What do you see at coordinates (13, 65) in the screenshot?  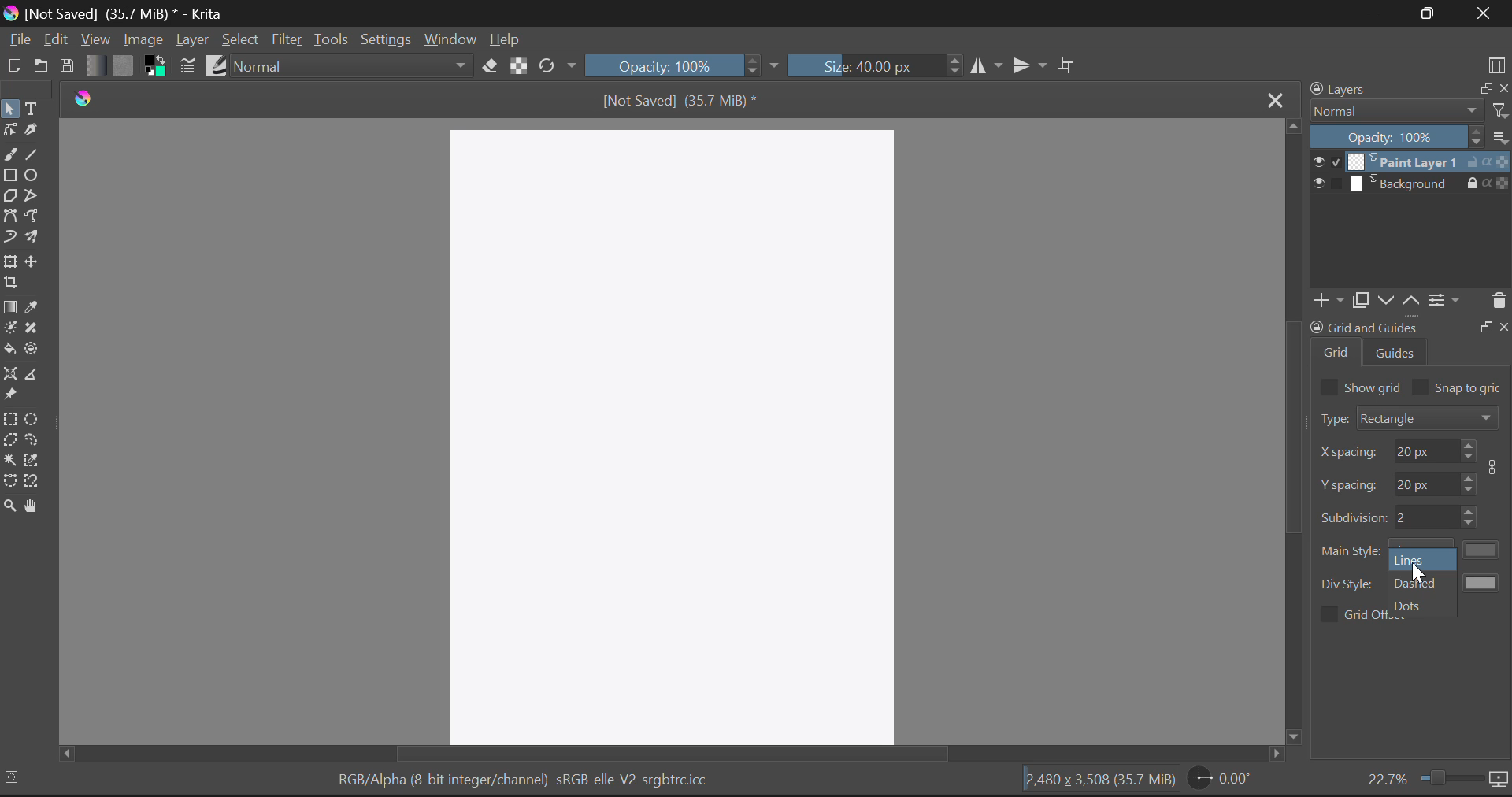 I see `New` at bounding box center [13, 65].